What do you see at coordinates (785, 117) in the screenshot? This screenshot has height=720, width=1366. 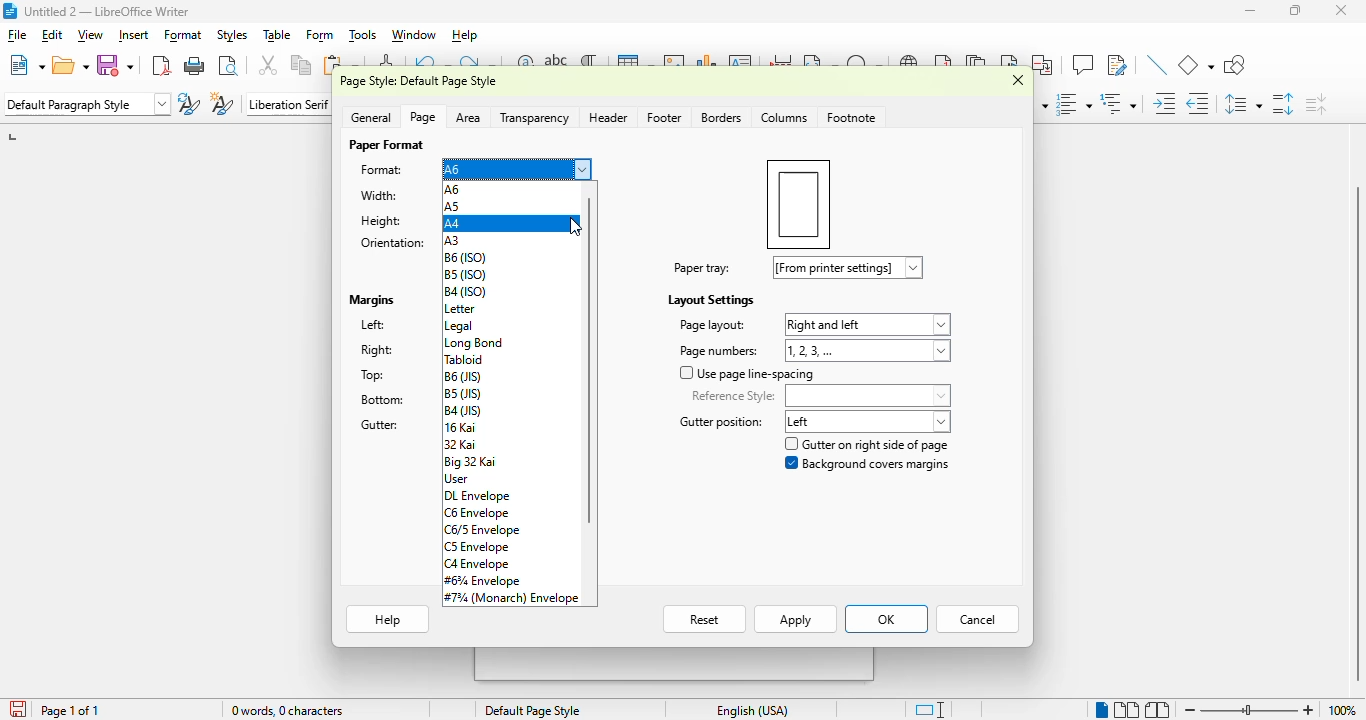 I see `colummns` at bounding box center [785, 117].